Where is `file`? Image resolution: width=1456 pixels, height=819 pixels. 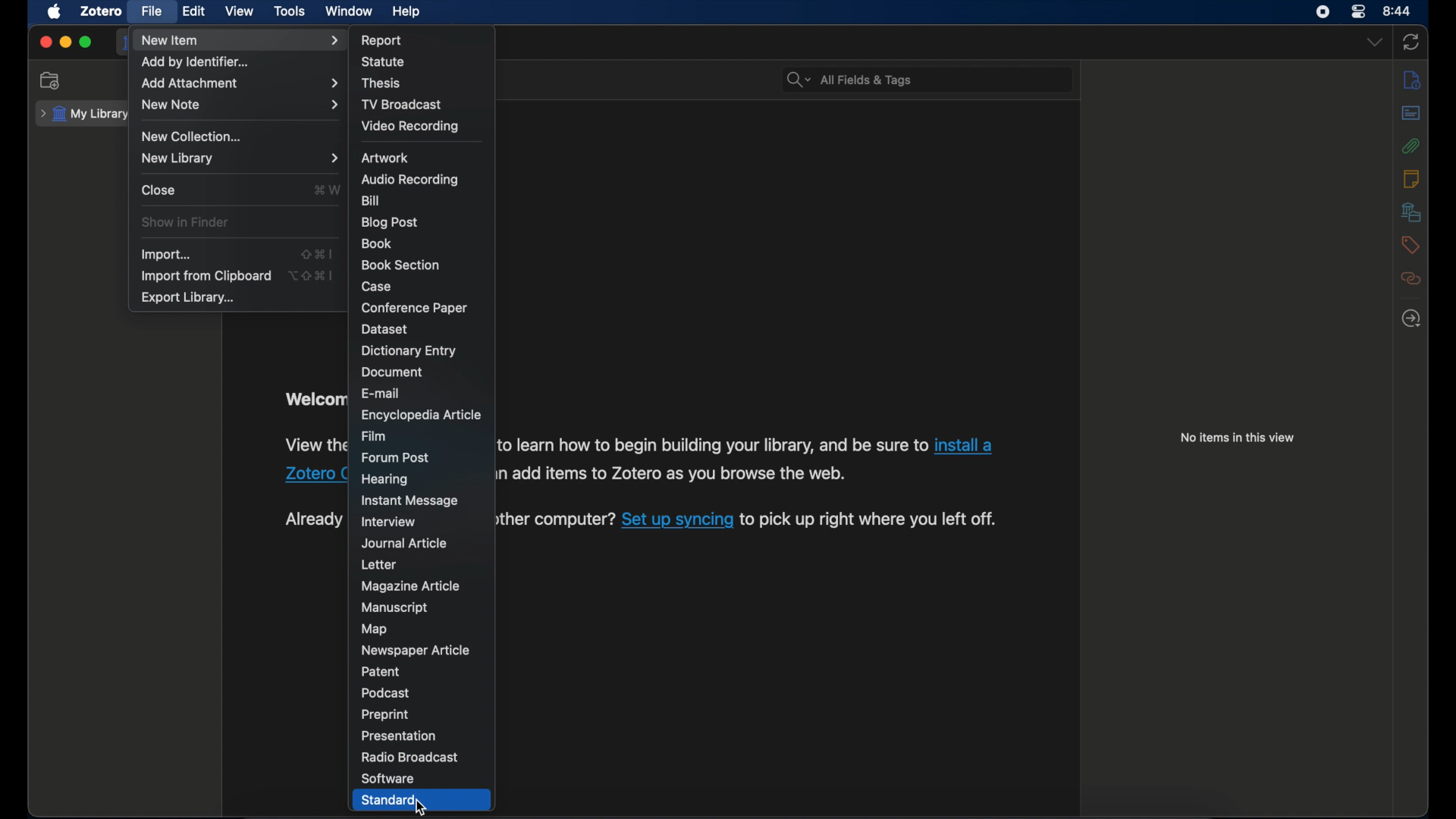 file is located at coordinates (151, 11).